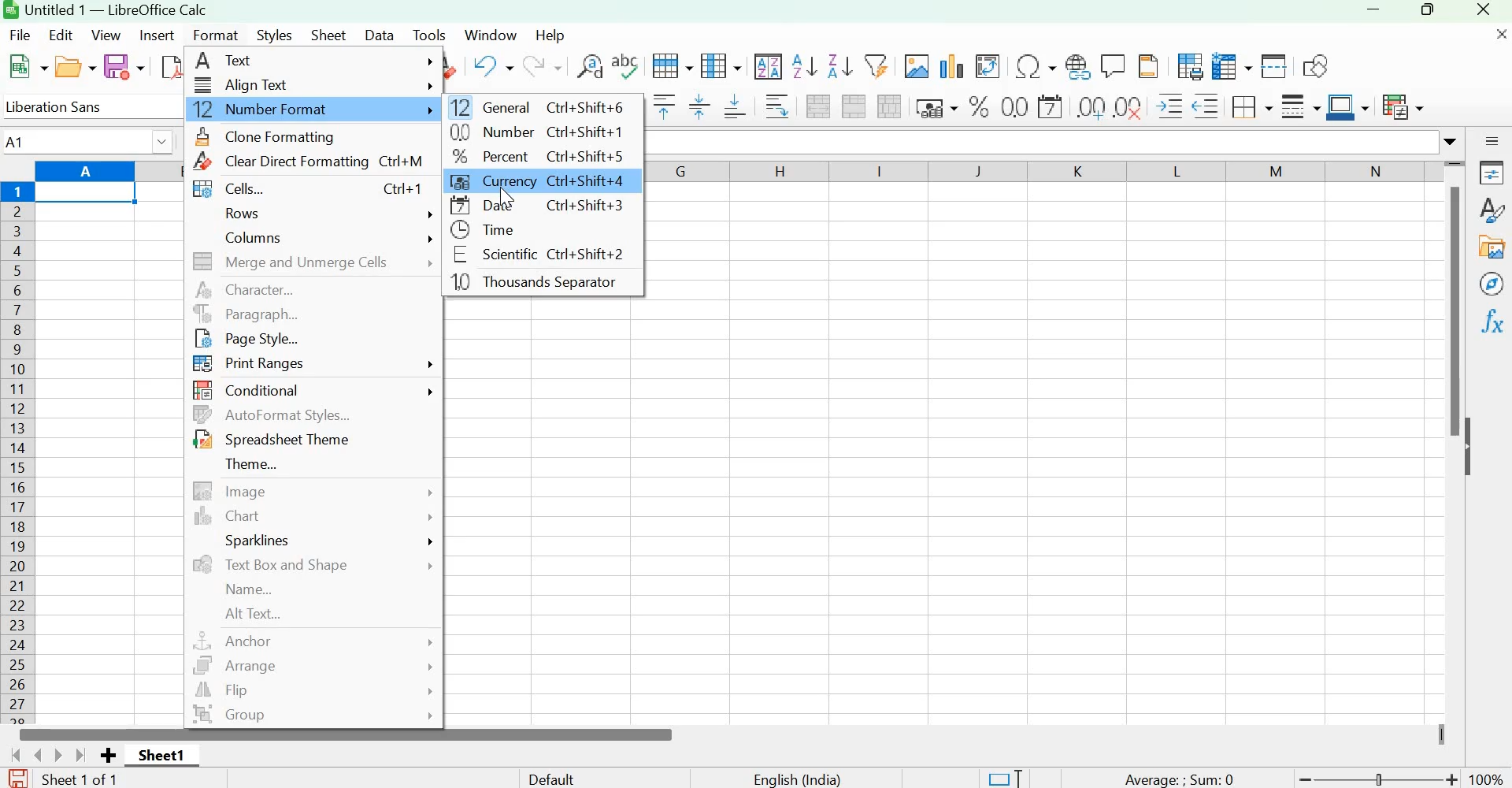 This screenshot has width=1512, height=788. Describe the element at coordinates (542, 283) in the screenshot. I see `Thousands Separator` at that location.